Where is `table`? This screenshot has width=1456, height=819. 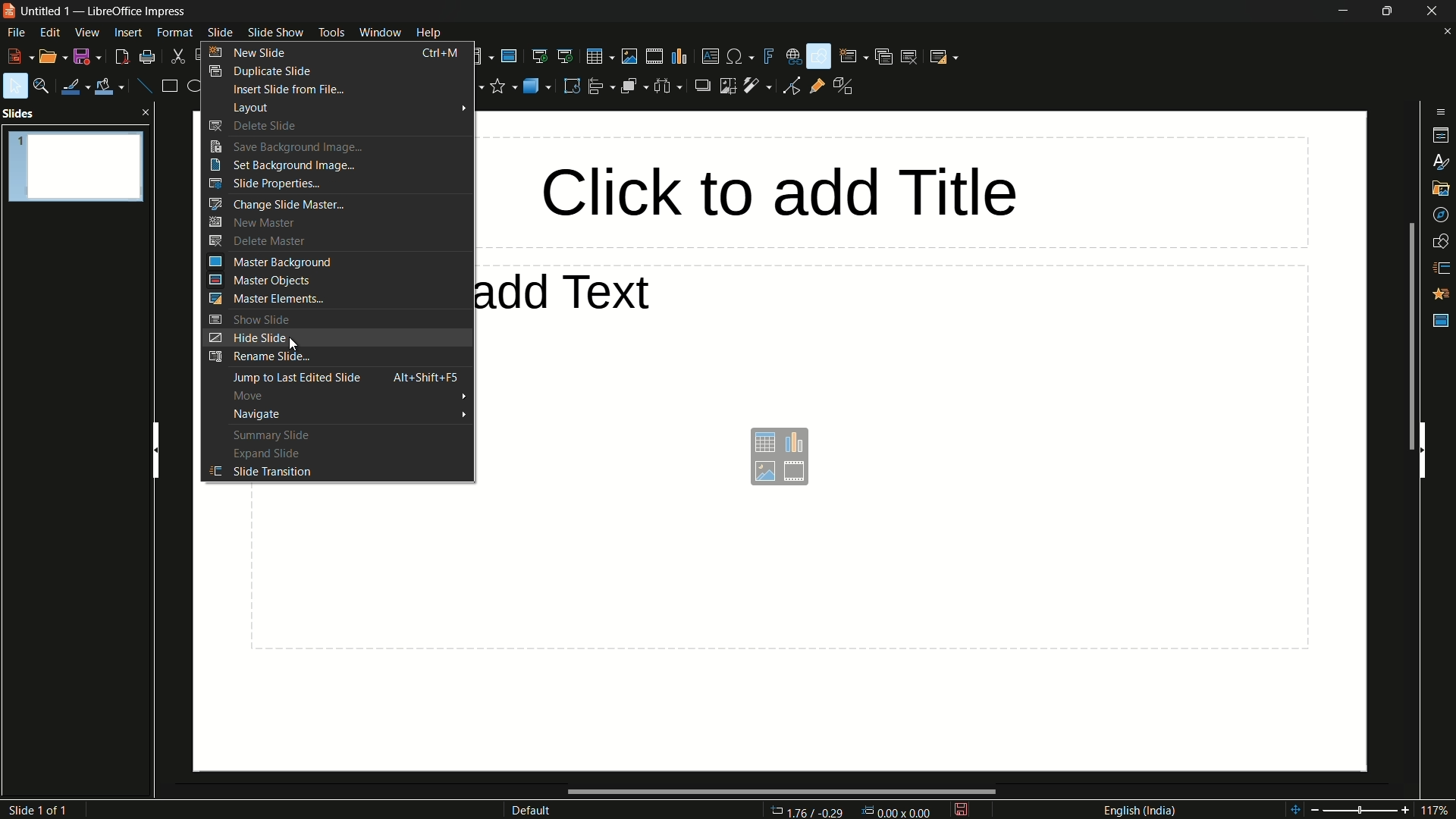
table is located at coordinates (601, 56).